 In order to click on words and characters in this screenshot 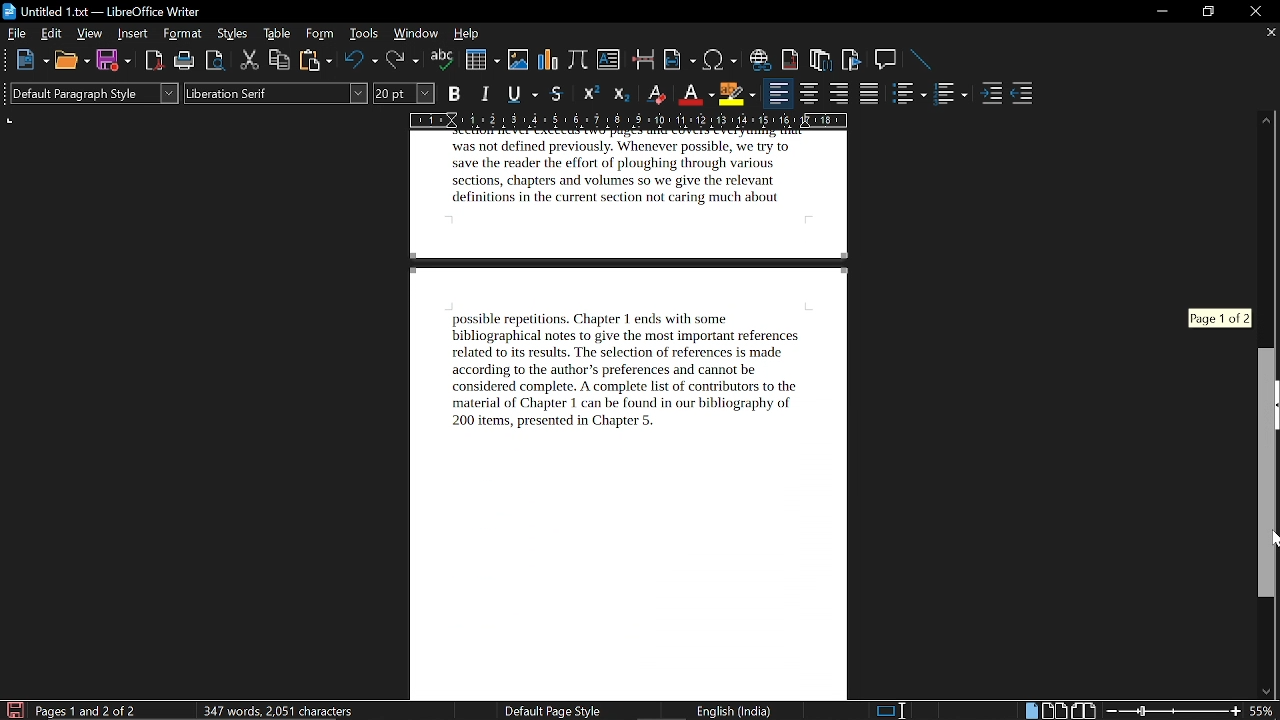, I will do `click(276, 710)`.